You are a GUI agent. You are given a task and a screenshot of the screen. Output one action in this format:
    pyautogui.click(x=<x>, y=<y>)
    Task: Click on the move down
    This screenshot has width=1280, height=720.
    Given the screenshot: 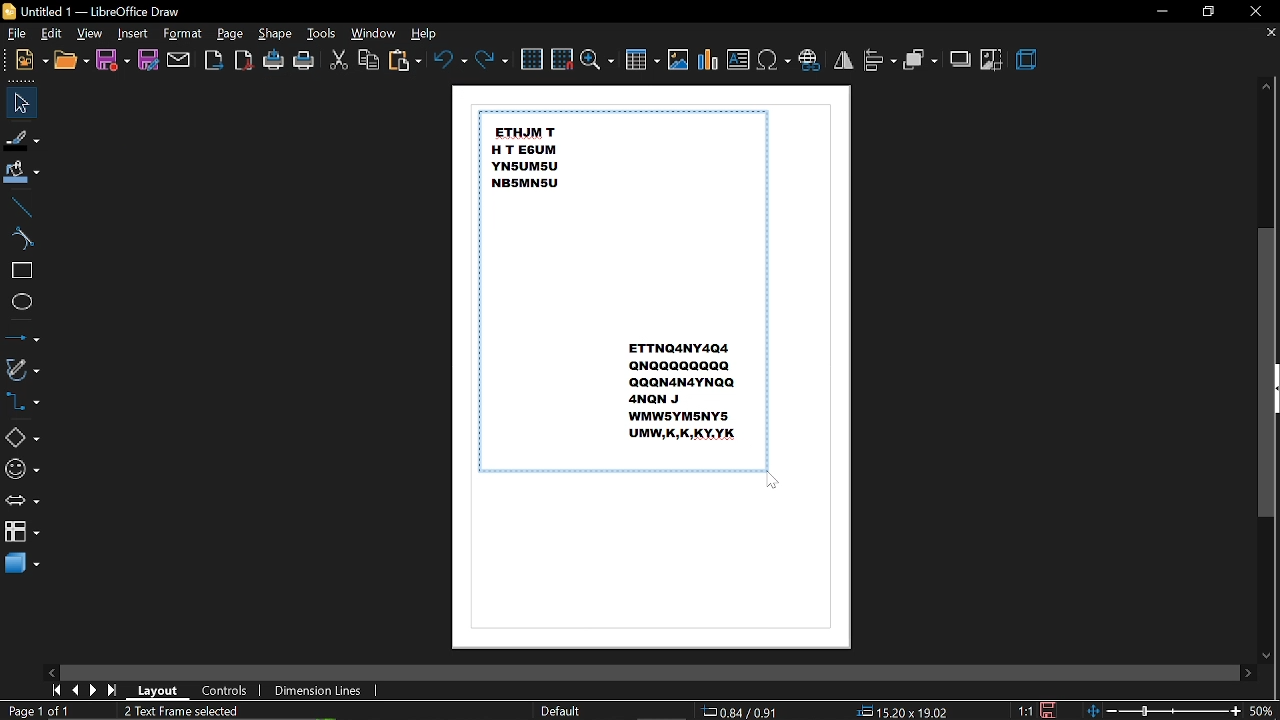 What is the action you would take?
    pyautogui.click(x=1265, y=655)
    